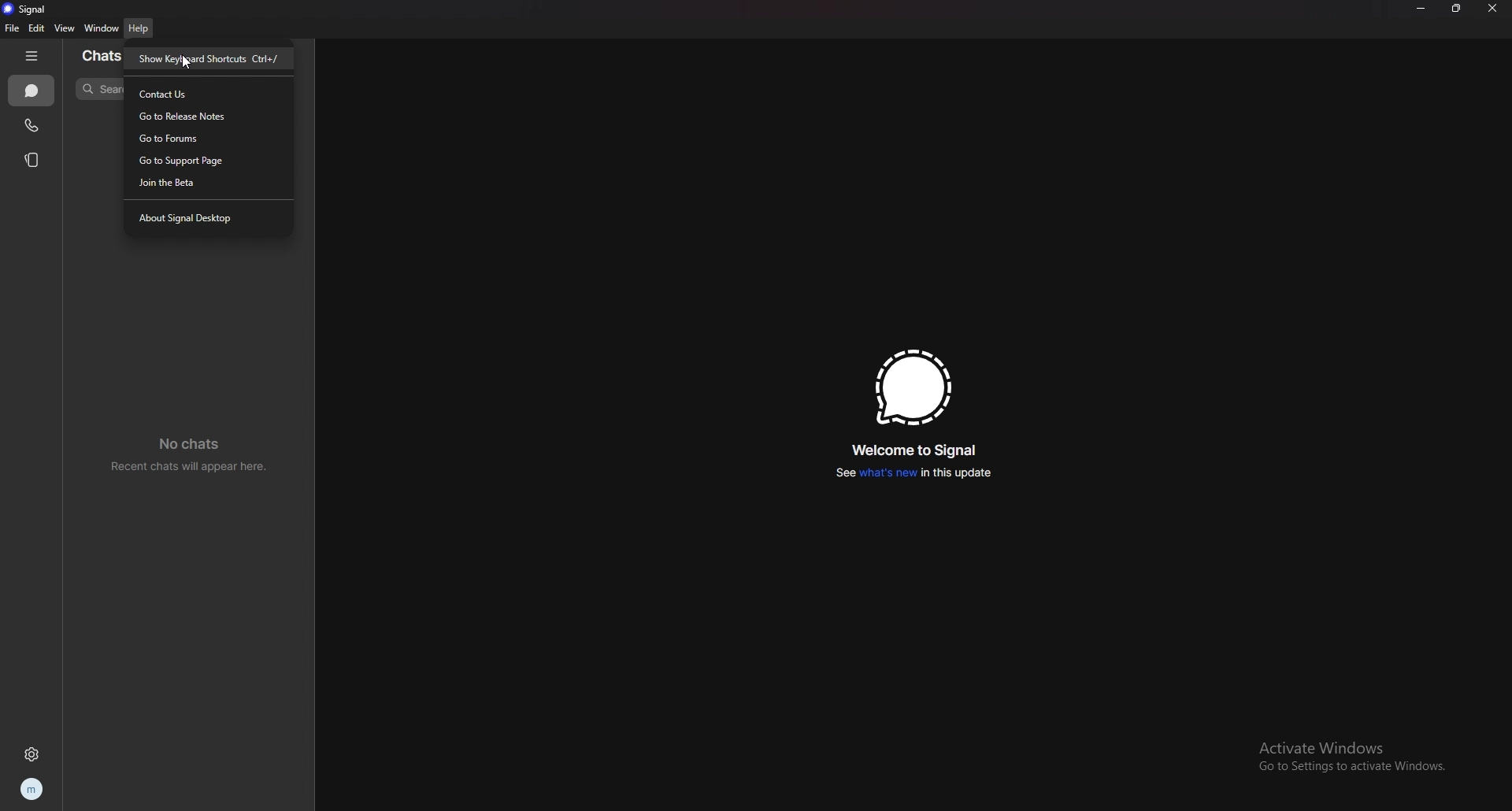 This screenshot has width=1512, height=811. I want to click on Go to Settings to activate Windows., so click(1345, 768).